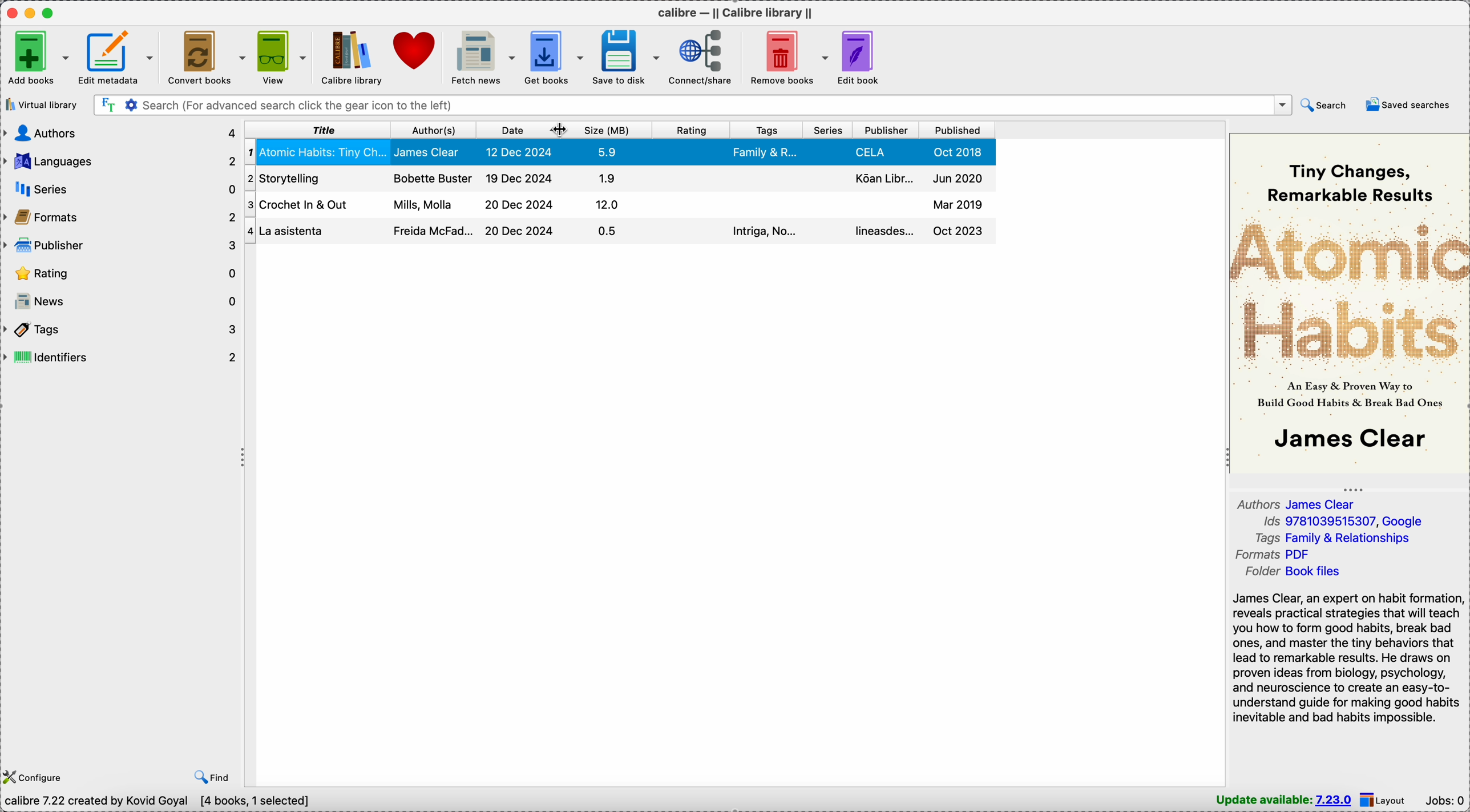 Image resolution: width=1470 pixels, height=812 pixels. I want to click on published, so click(959, 131).